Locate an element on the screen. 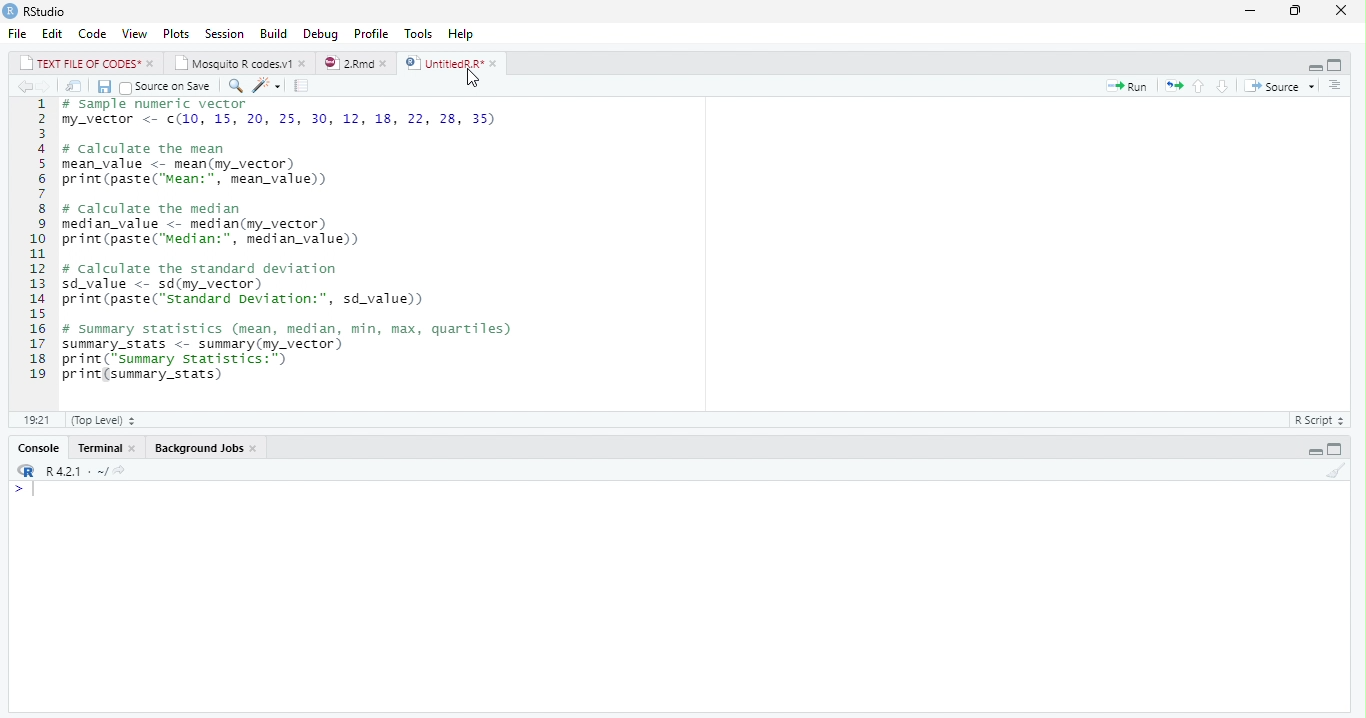 This screenshot has width=1366, height=718. plots is located at coordinates (177, 34).